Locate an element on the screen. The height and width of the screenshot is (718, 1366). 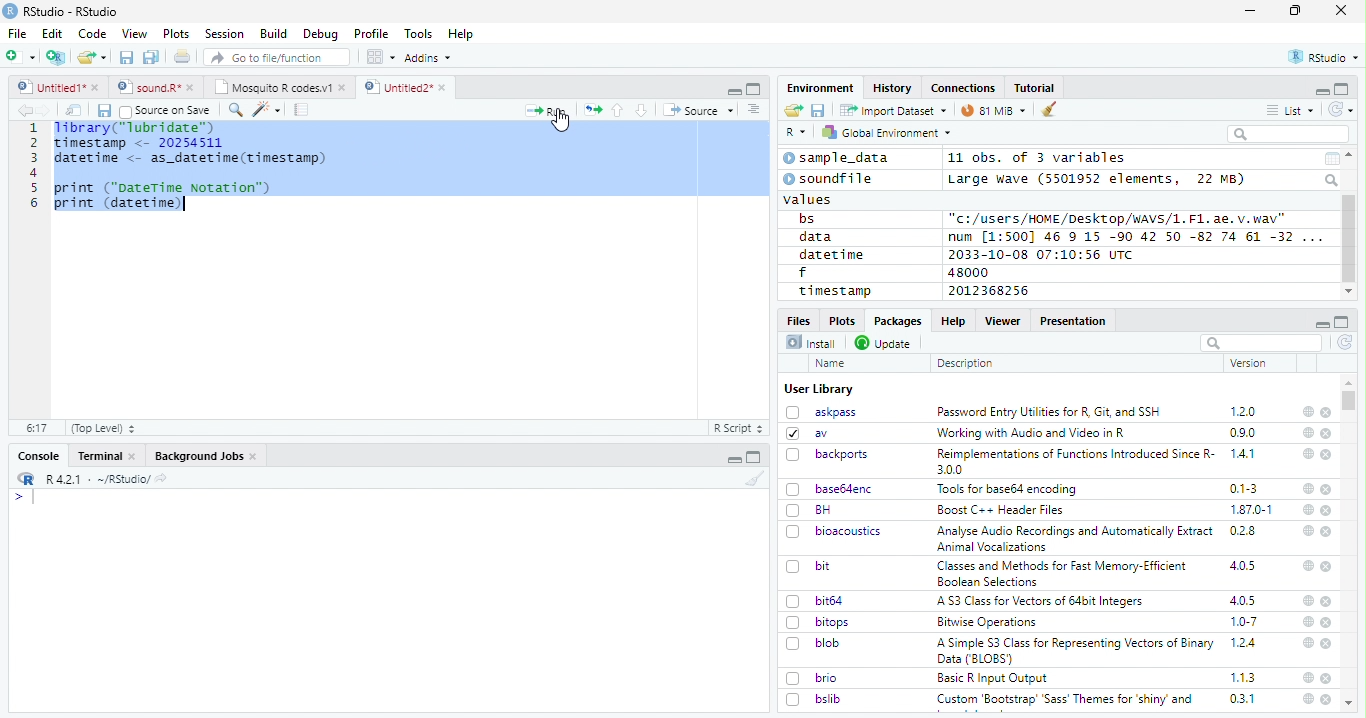
Name is located at coordinates (832, 364).